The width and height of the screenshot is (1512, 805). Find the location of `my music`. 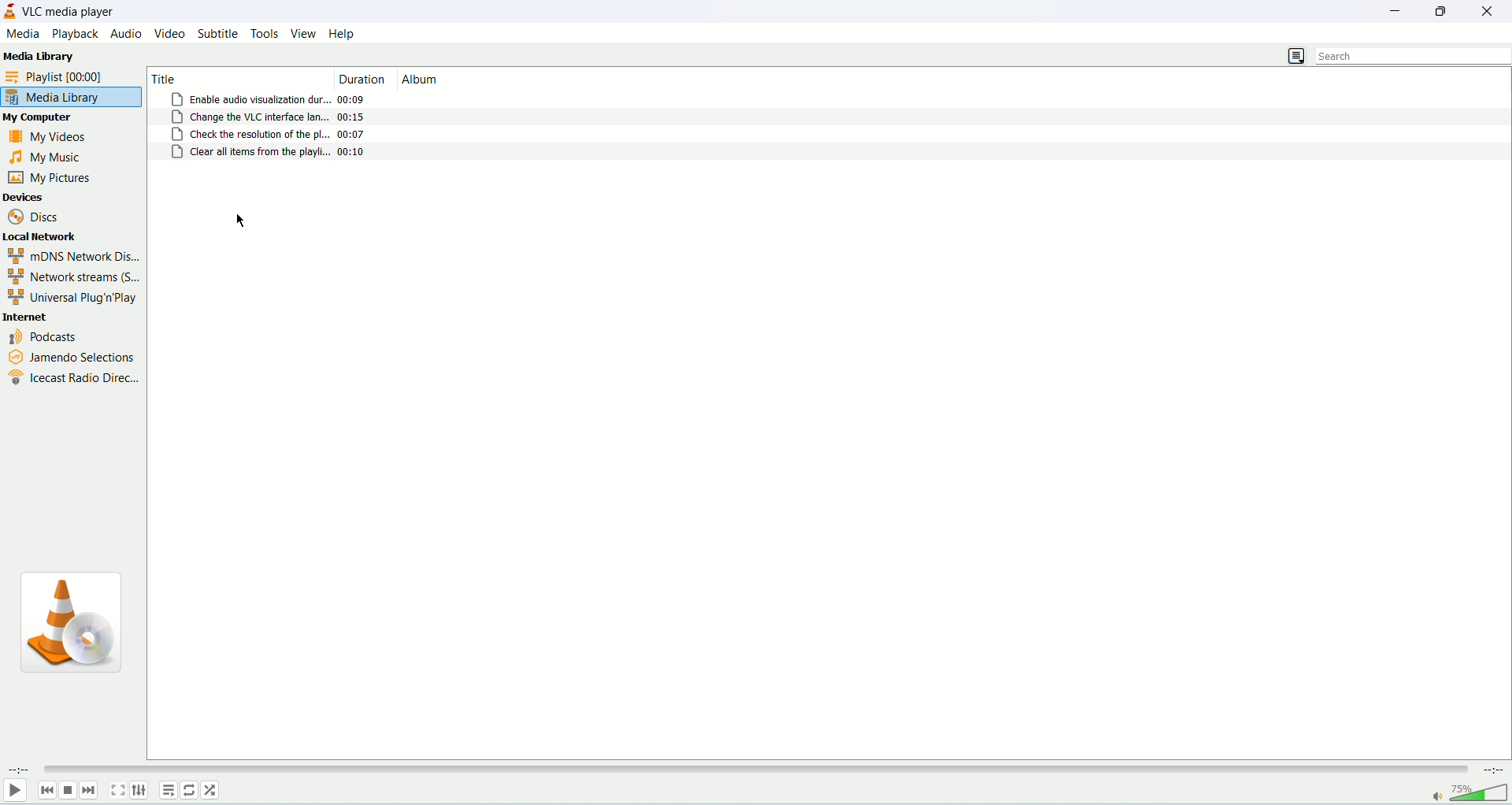

my music is located at coordinates (50, 158).